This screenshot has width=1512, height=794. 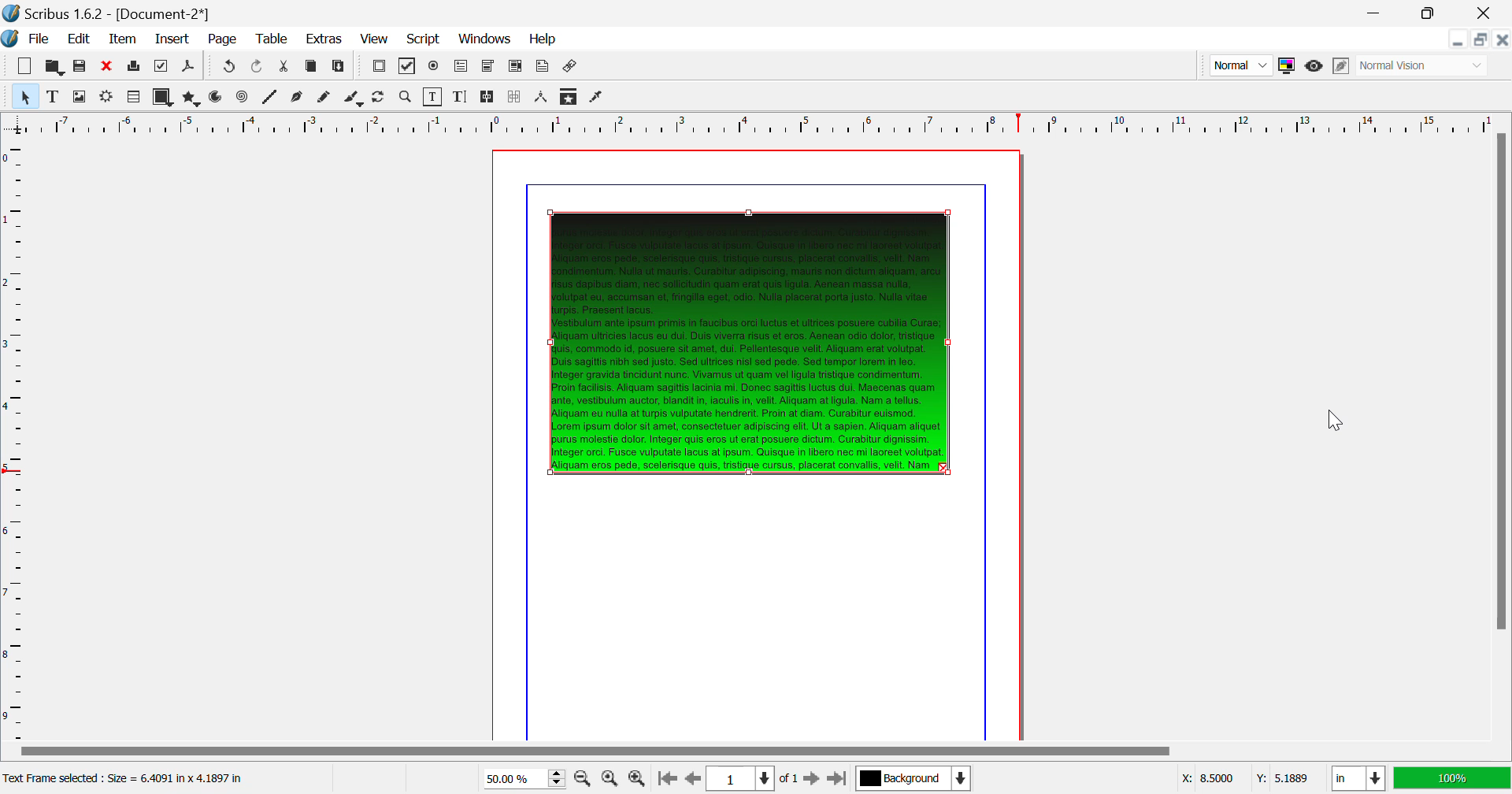 What do you see at coordinates (780, 123) in the screenshot?
I see `Vertical Page Margin` at bounding box center [780, 123].